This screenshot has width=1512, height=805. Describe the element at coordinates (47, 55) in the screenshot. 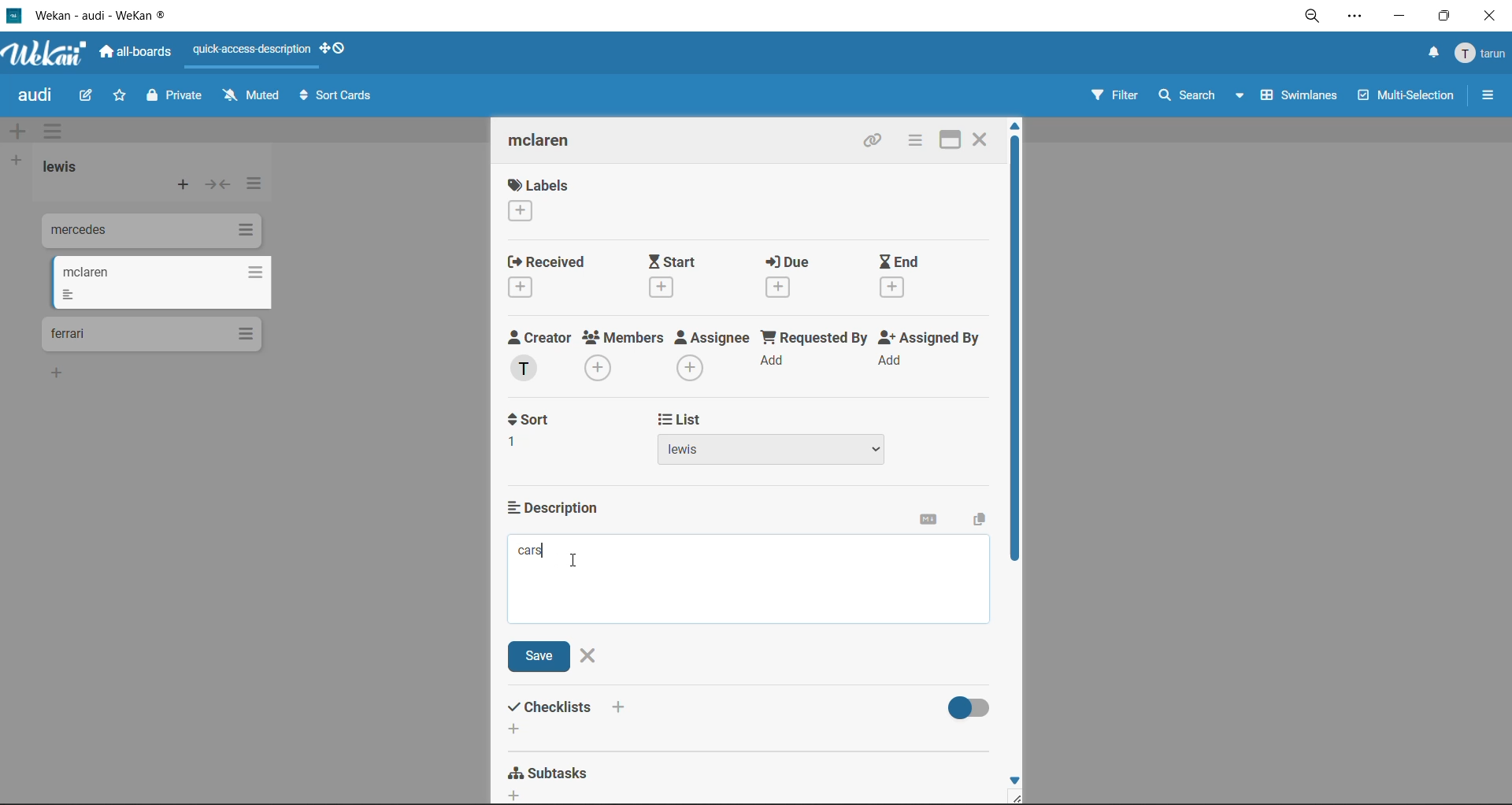

I see `app logo` at that location.